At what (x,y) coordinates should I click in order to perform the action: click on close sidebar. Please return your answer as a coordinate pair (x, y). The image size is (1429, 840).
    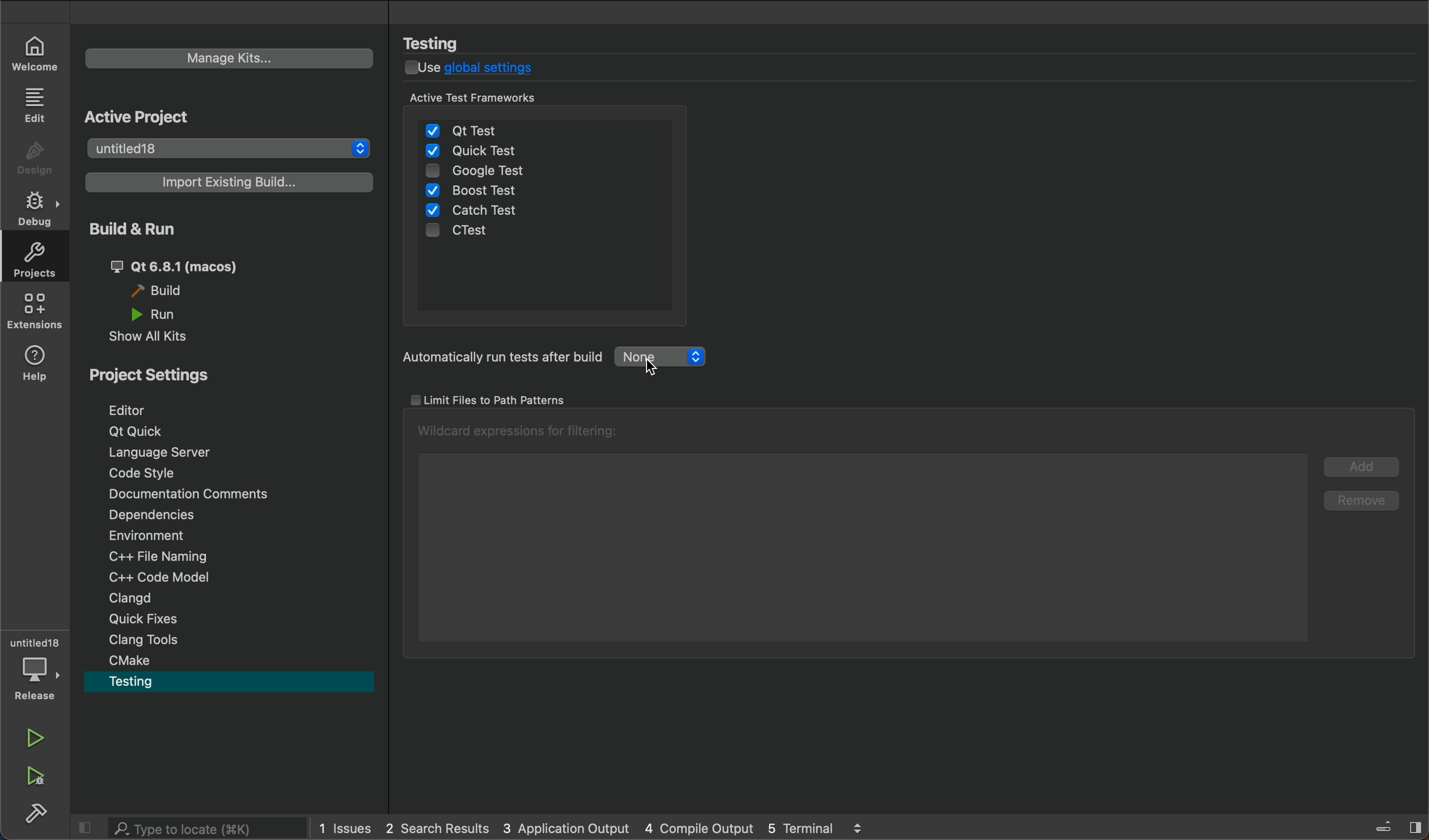
    Looking at the image, I should click on (1387, 824).